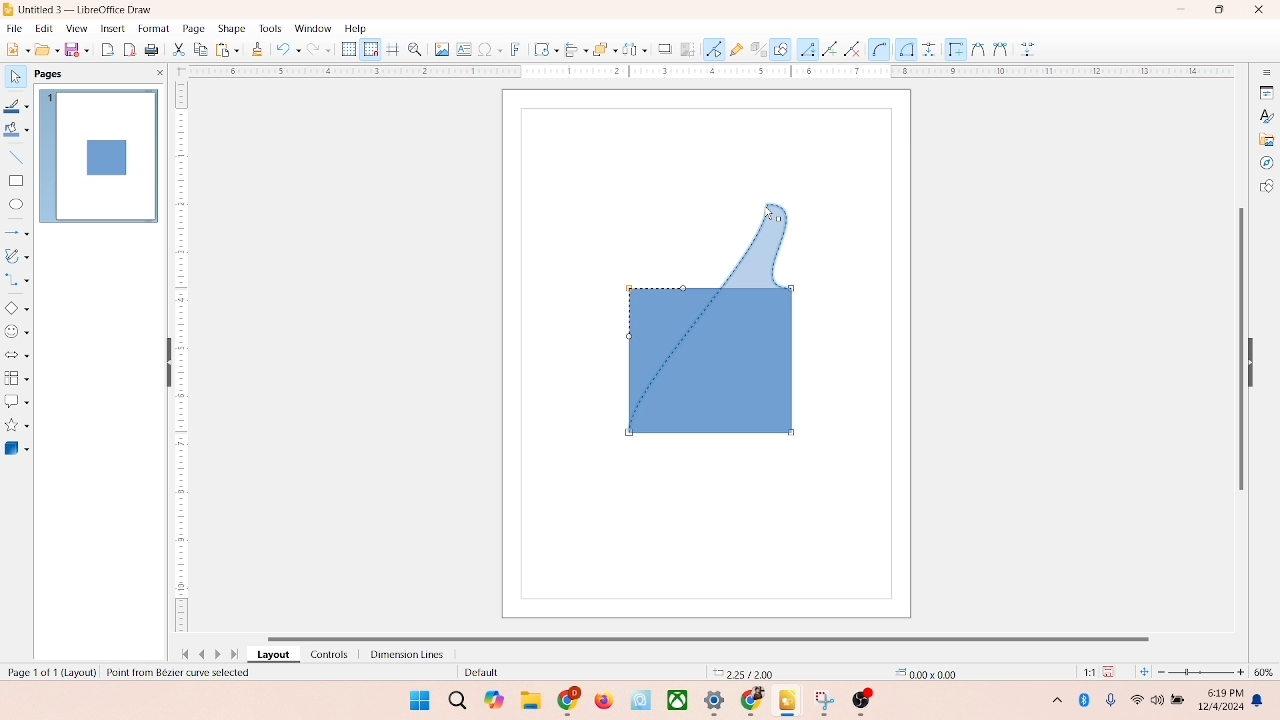 This screenshot has width=1280, height=720. I want to click on show grid, so click(348, 50).